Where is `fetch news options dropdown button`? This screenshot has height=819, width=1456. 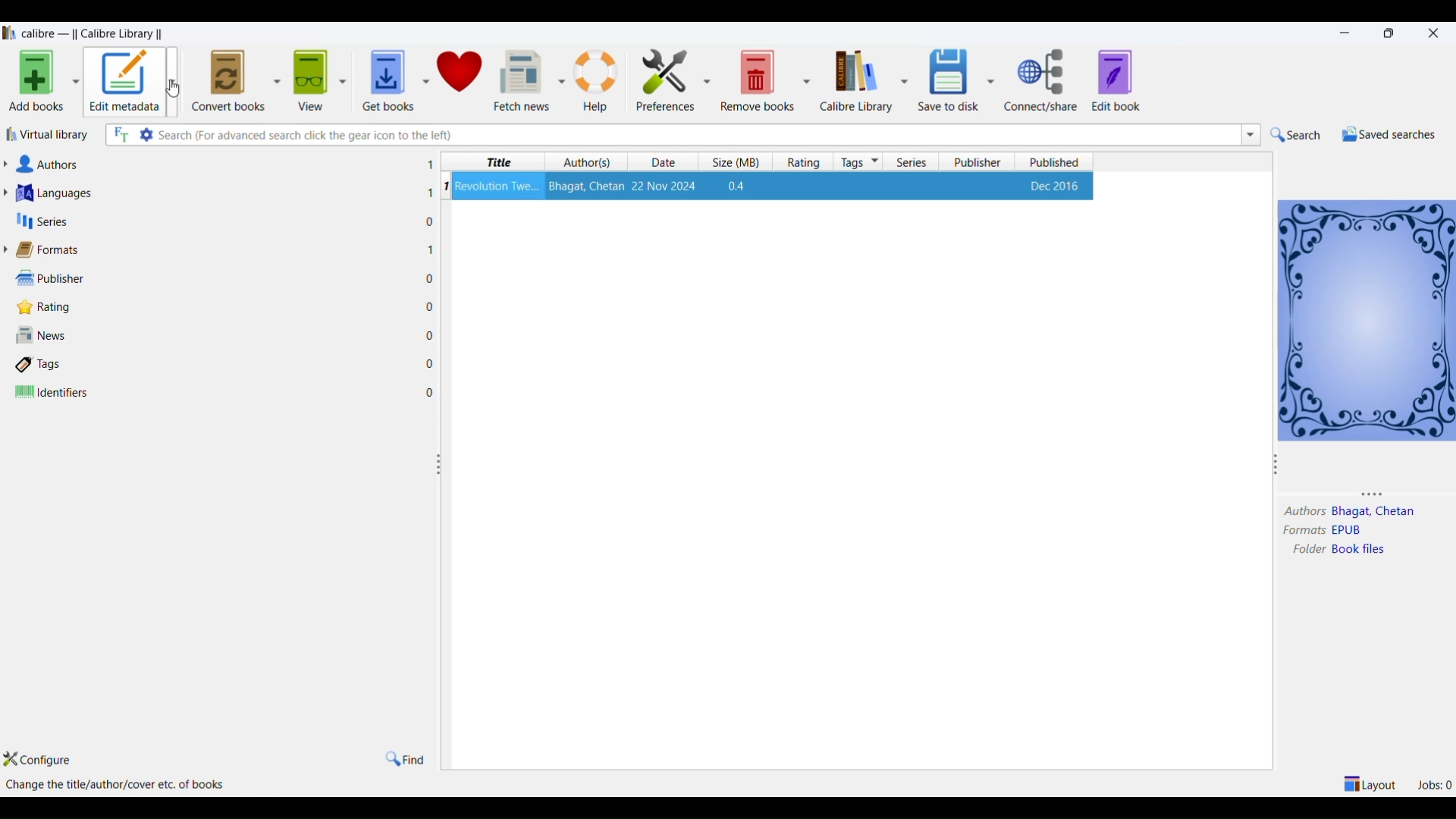 fetch news options dropdown button is located at coordinates (561, 80).